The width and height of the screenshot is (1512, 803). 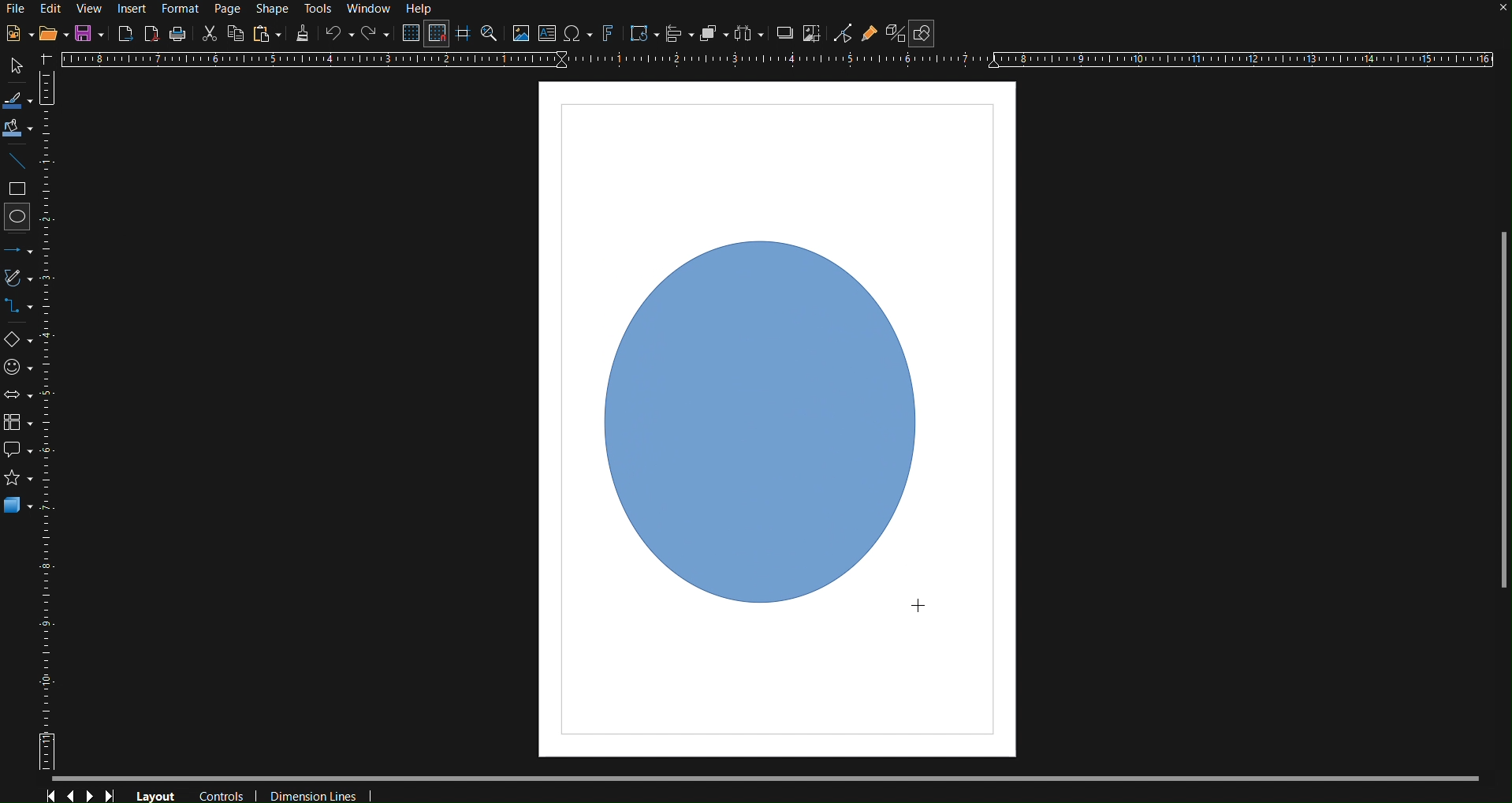 I want to click on Paste, so click(x=266, y=34).